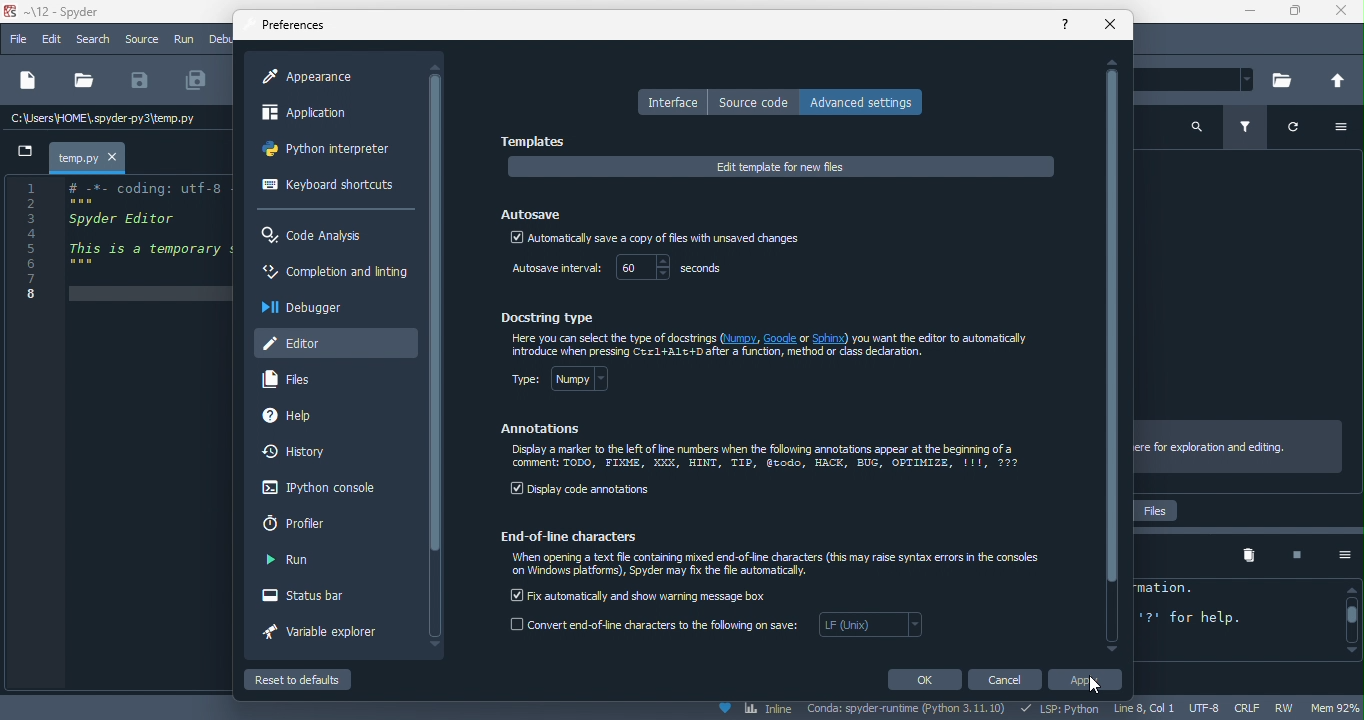 This screenshot has width=1364, height=720. I want to click on reset to defaults, so click(318, 679).